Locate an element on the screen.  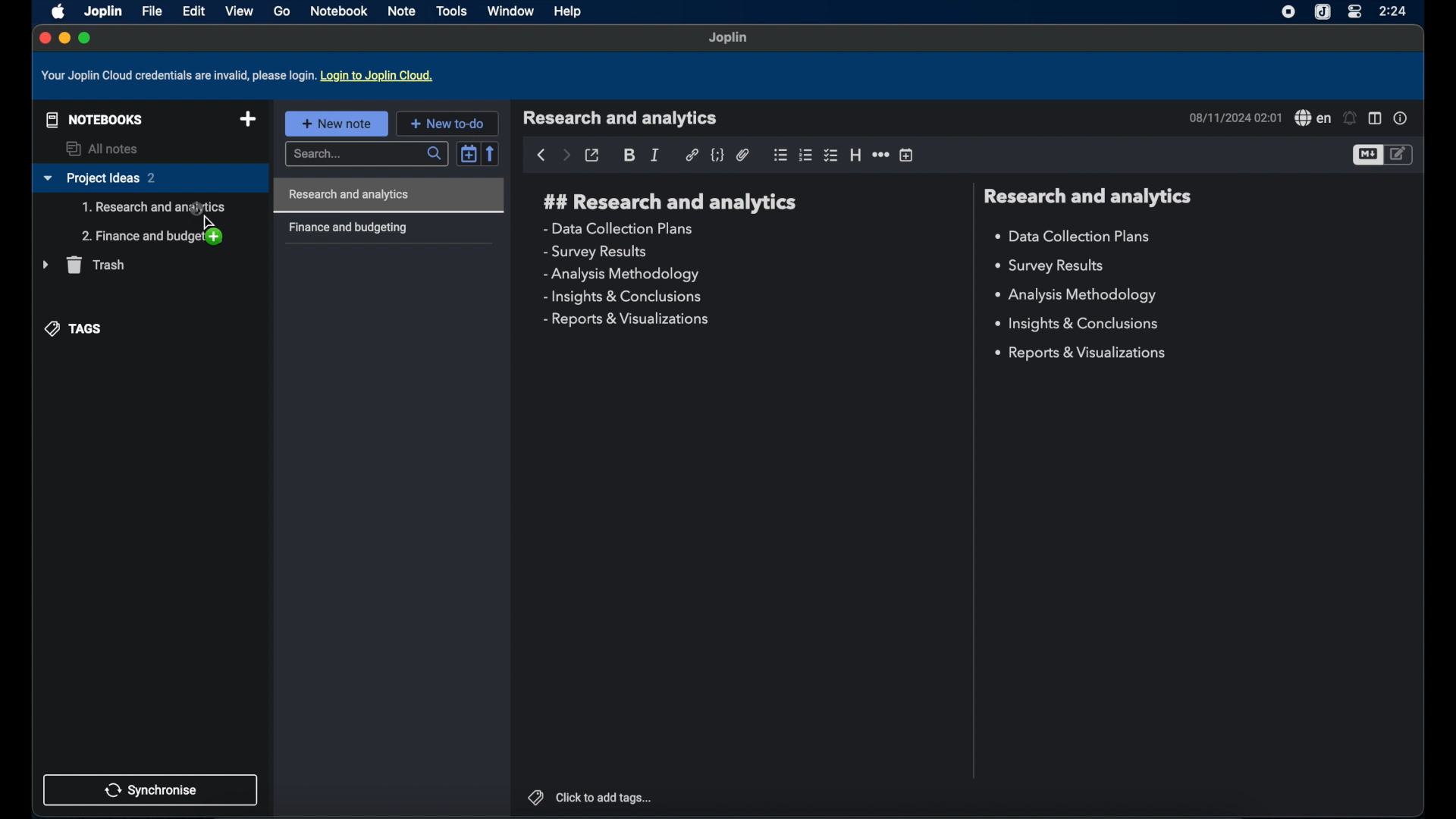
toggle editor is located at coordinates (1401, 154).